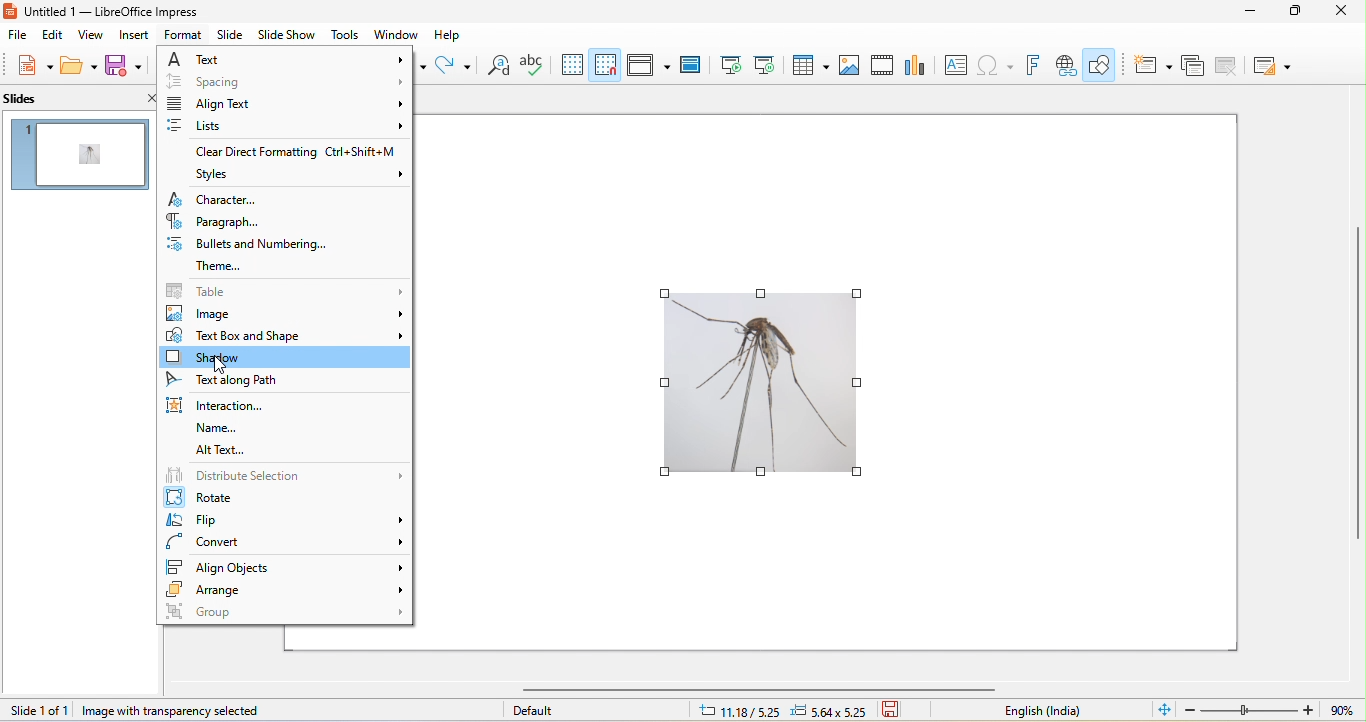 This screenshot has height=722, width=1366. What do you see at coordinates (61, 99) in the screenshot?
I see `slides` at bounding box center [61, 99].